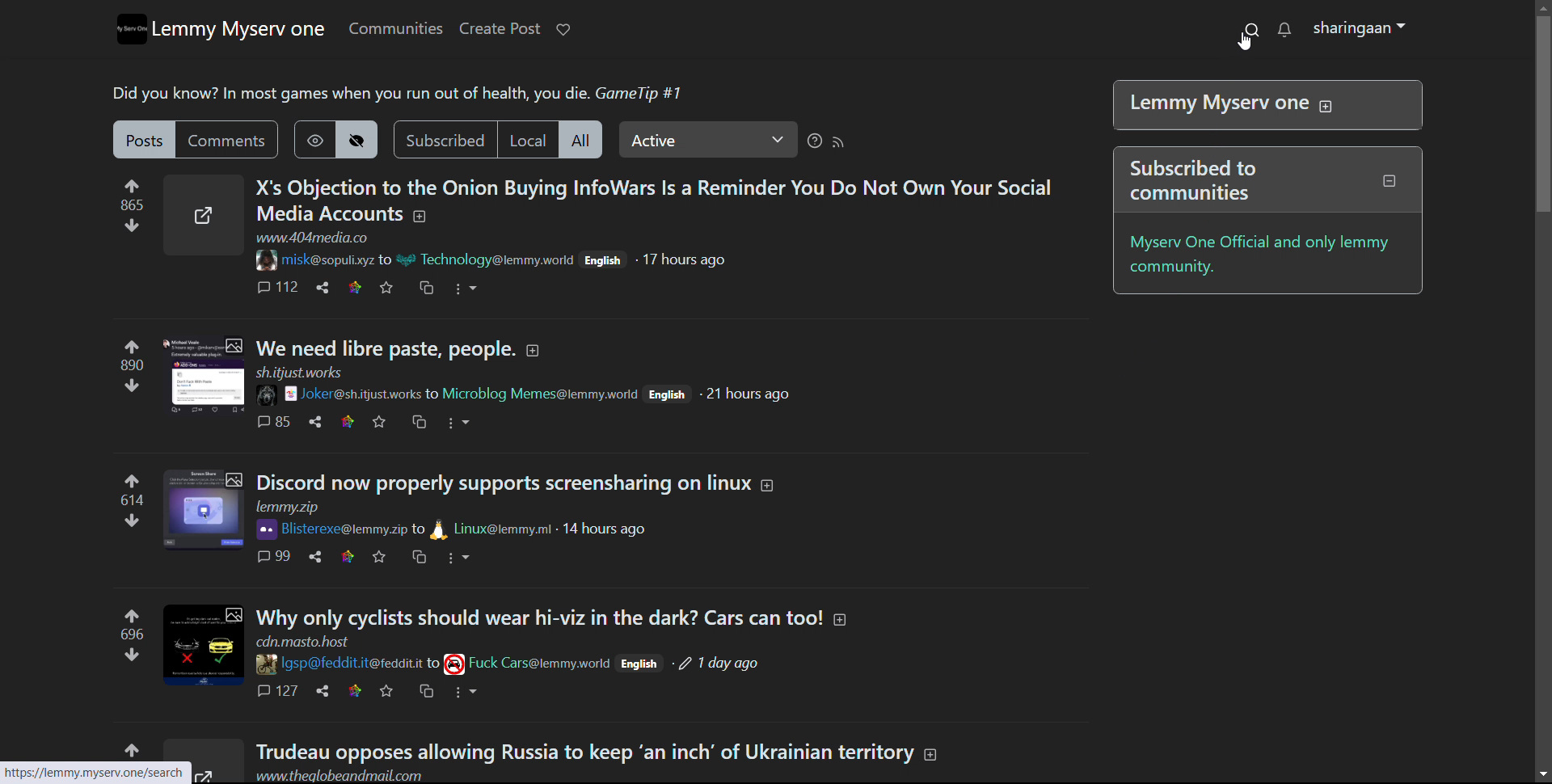 The image size is (1552, 784). I want to click on comments, so click(276, 690).